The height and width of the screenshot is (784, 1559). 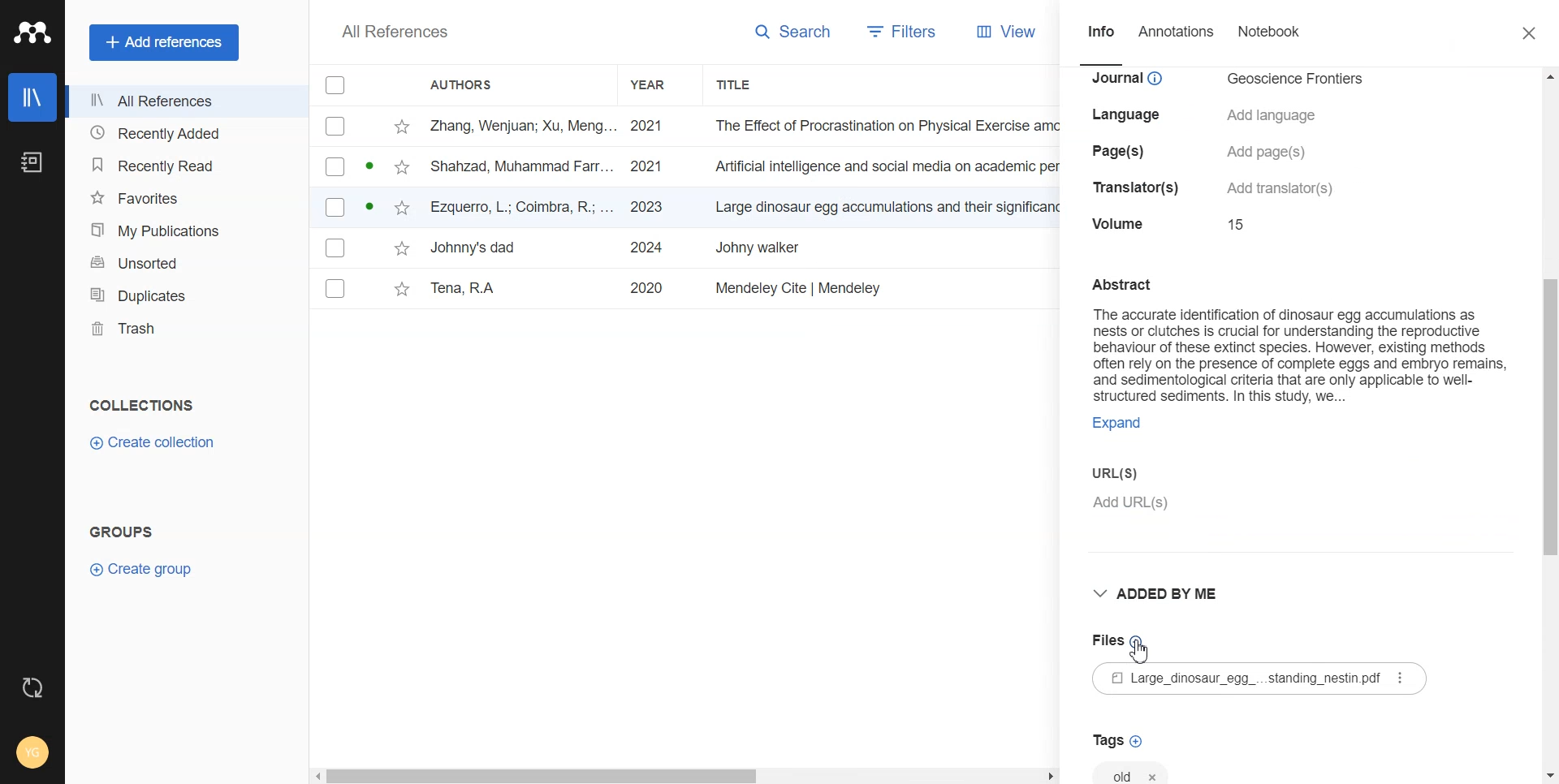 What do you see at coordinates (142, 569) in the screenshot?
I see `Create Group` at bounding box center [142, 569].